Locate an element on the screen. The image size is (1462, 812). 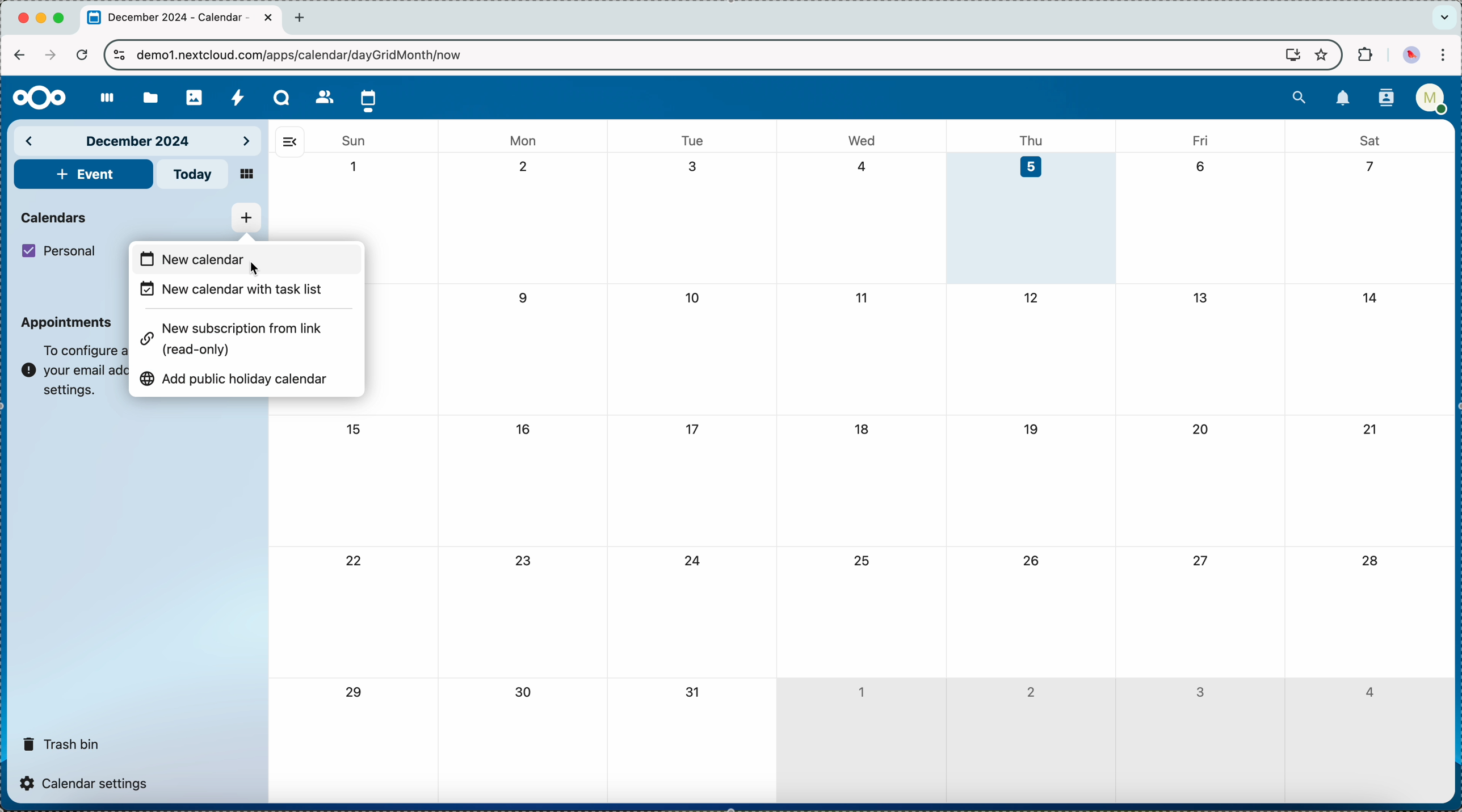
17 is located at coordinates (694, 430).